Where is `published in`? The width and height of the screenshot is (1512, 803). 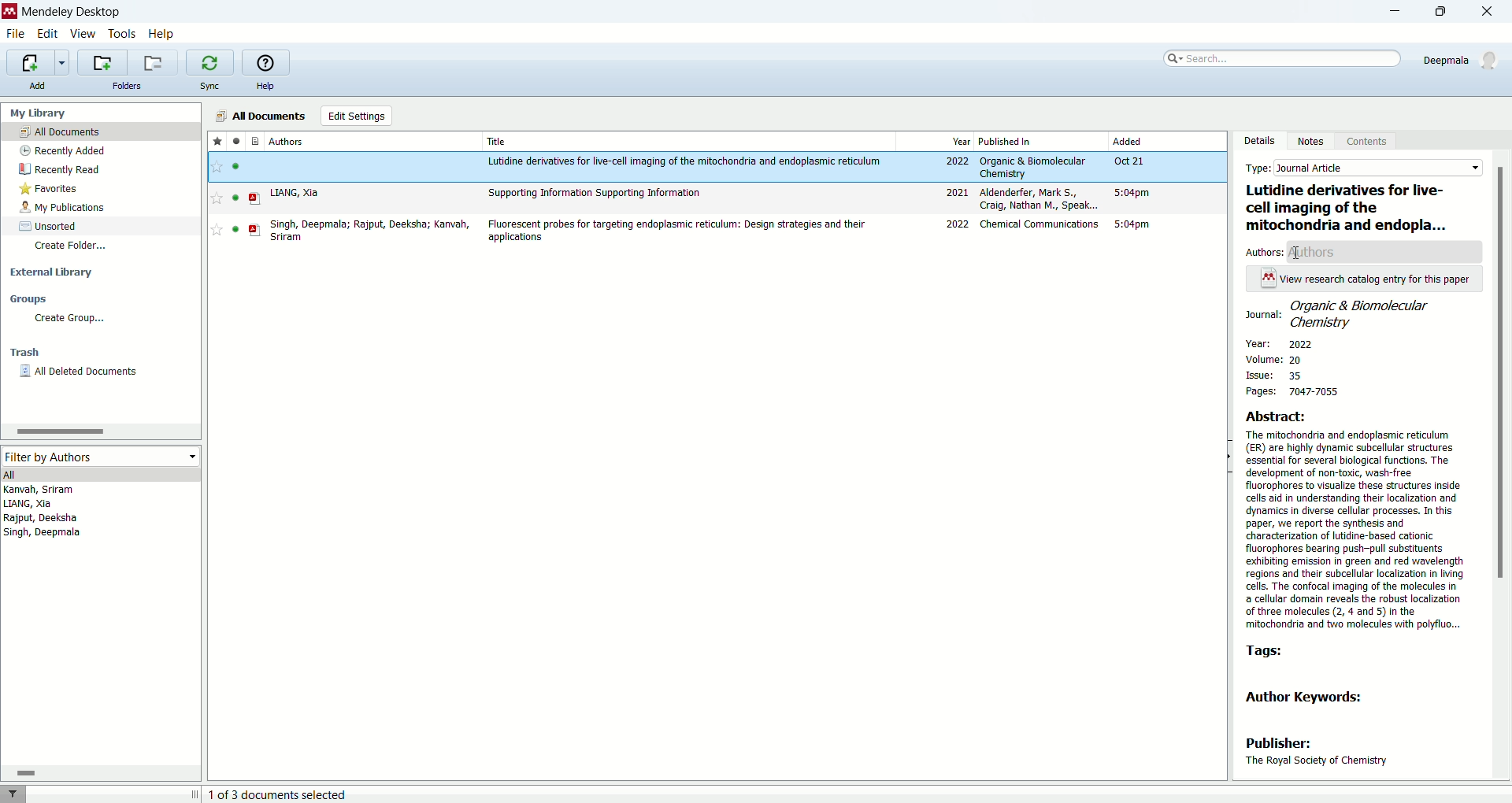 published in is located at coordinates (1021, 142).